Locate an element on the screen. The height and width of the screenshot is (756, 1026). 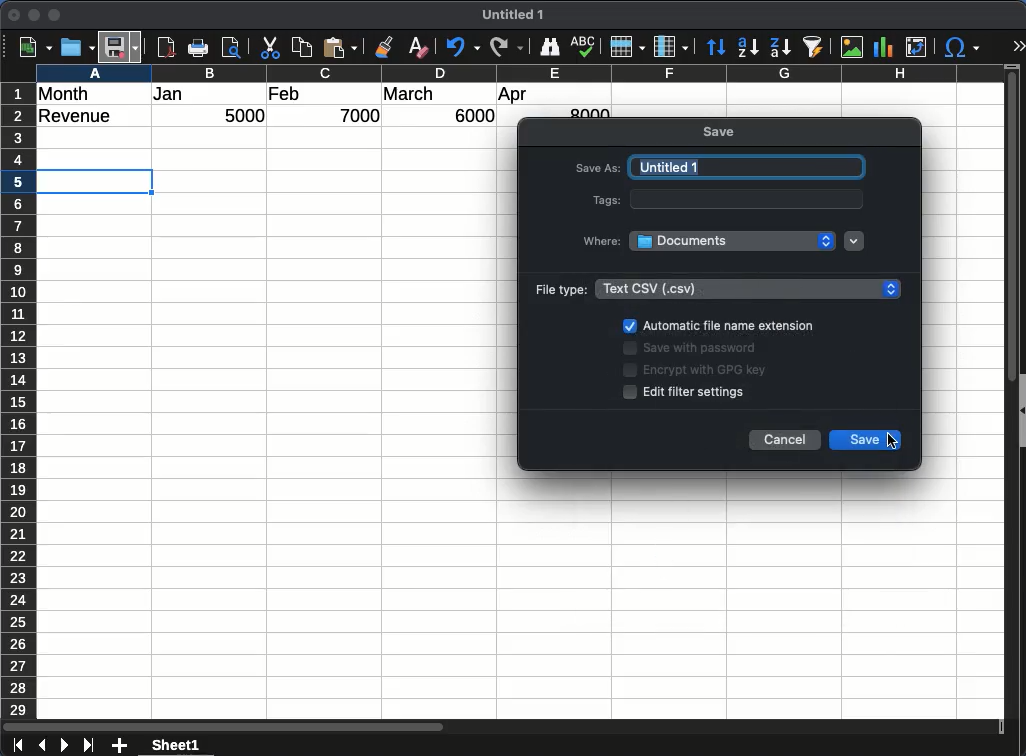
pivot table is located at coordinates (915, 48).